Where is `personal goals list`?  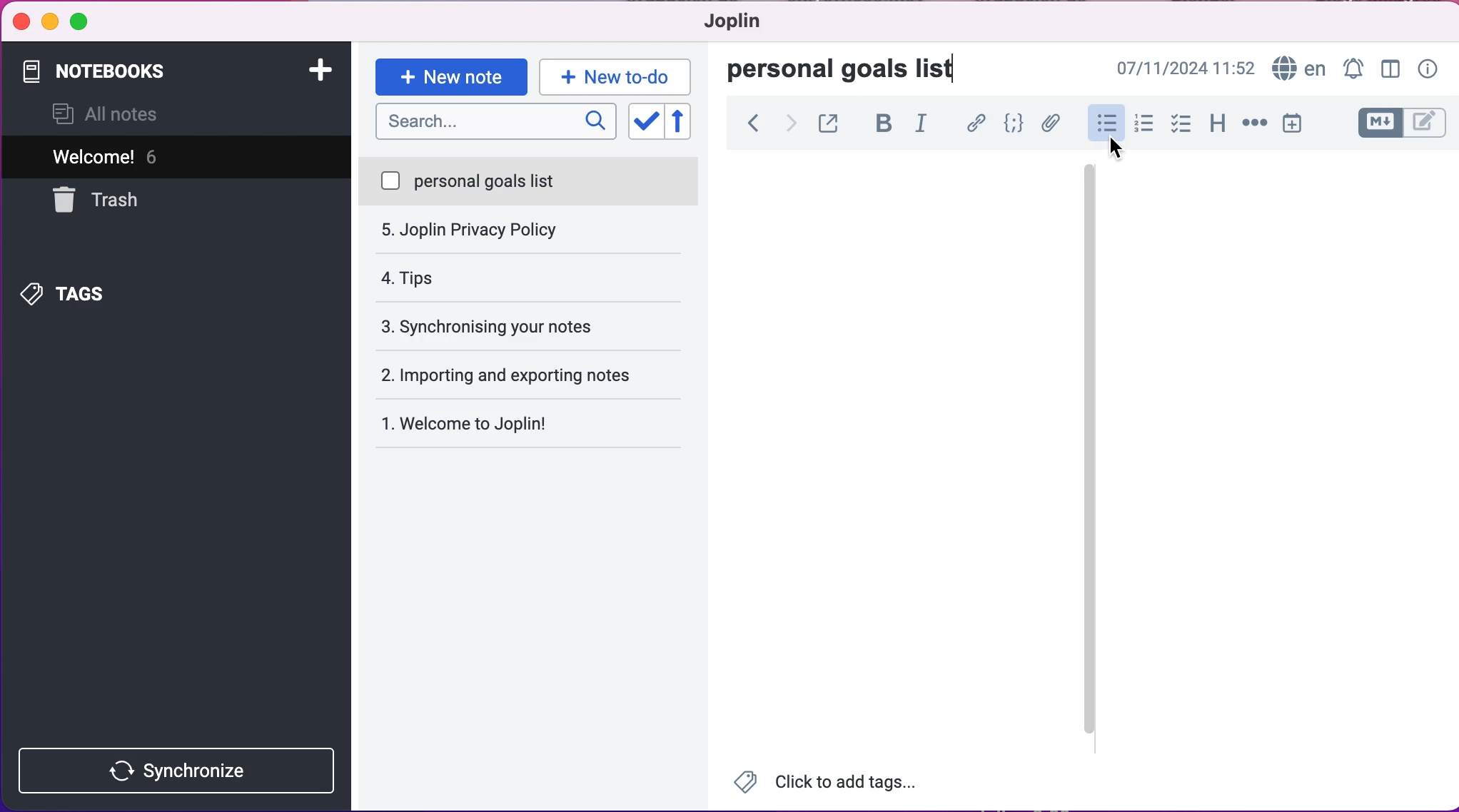
personal goals list is located at coordinates (530, 182).